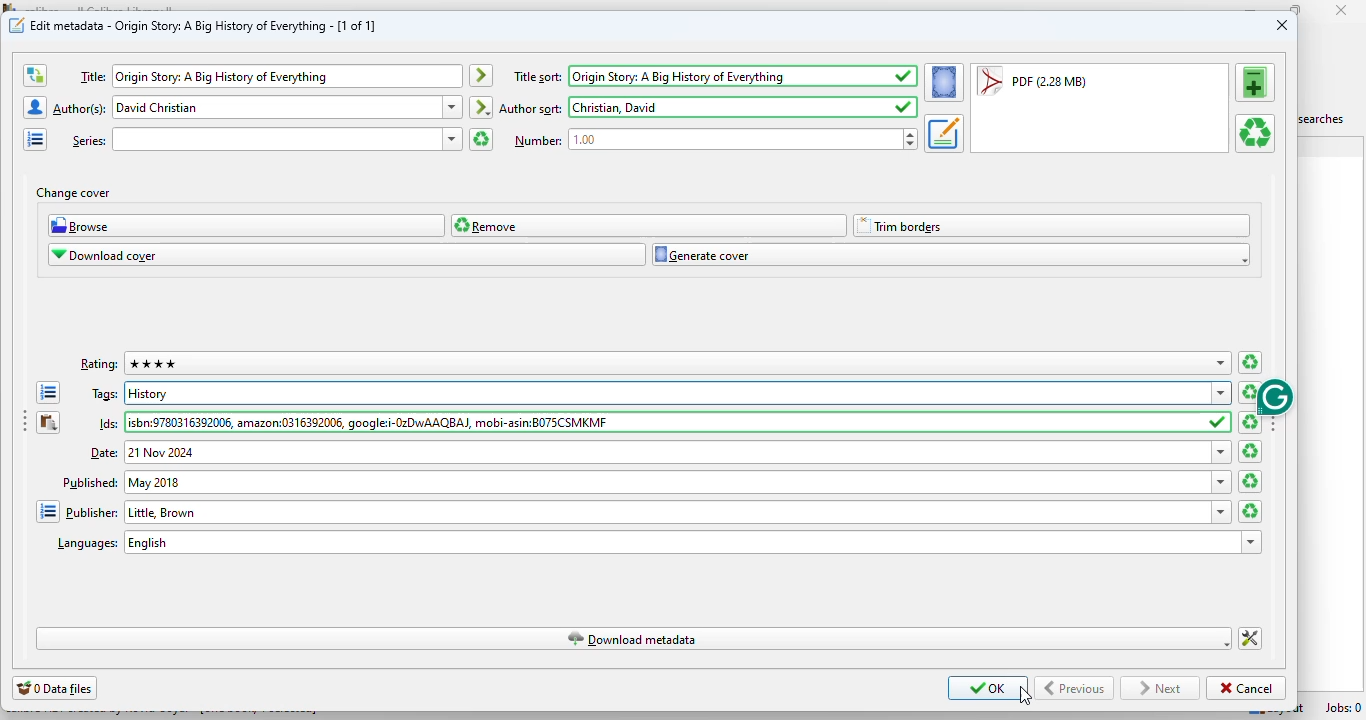 The height and width of the screenshot is (720, 1366). What do you see at coordinates (1159, 689) in the screenshot?
I see `next` at bounding box center [1159, 689].